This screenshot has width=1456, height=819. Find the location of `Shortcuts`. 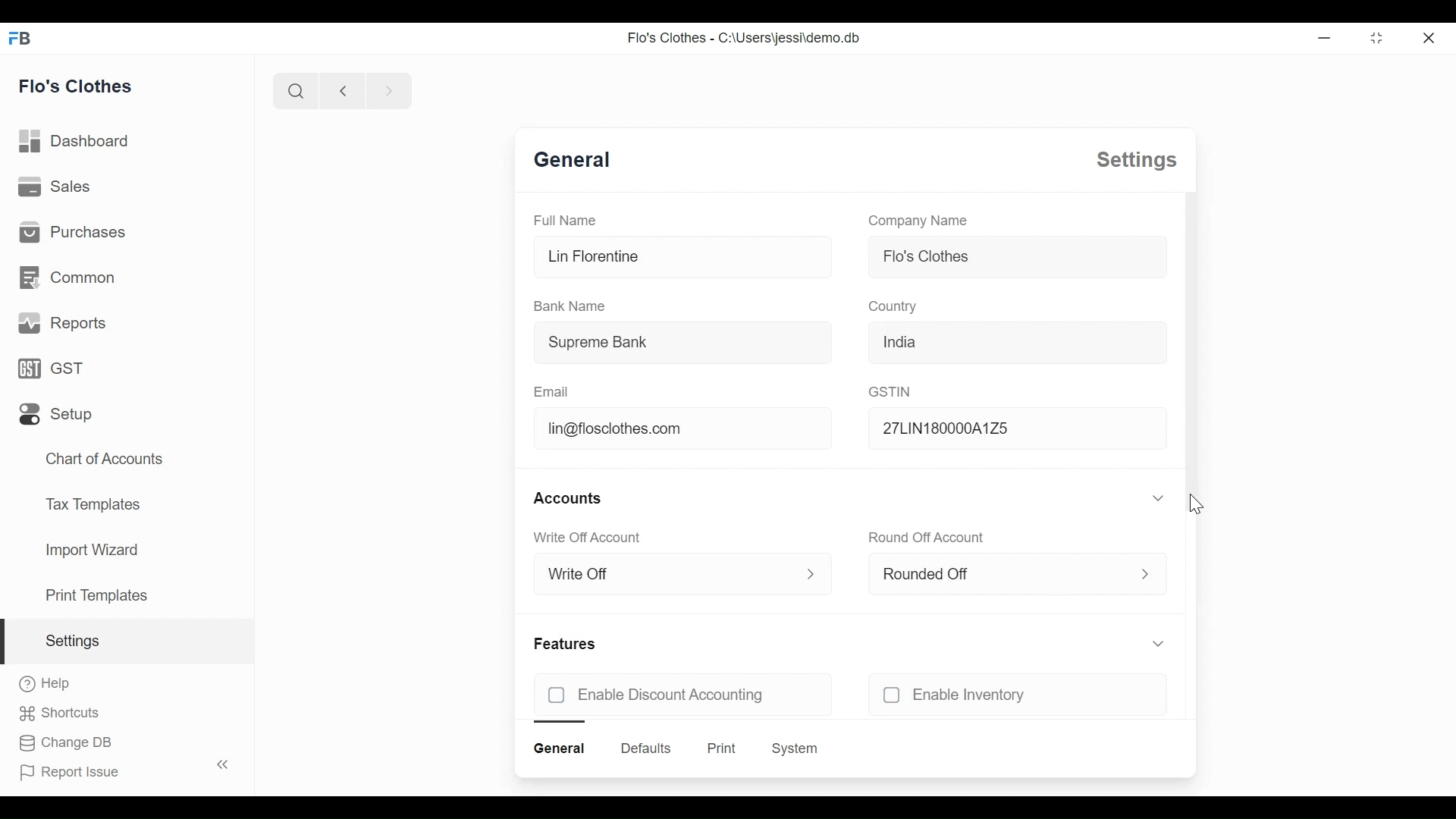

Shortcuts is located at coordinates (66, 714).